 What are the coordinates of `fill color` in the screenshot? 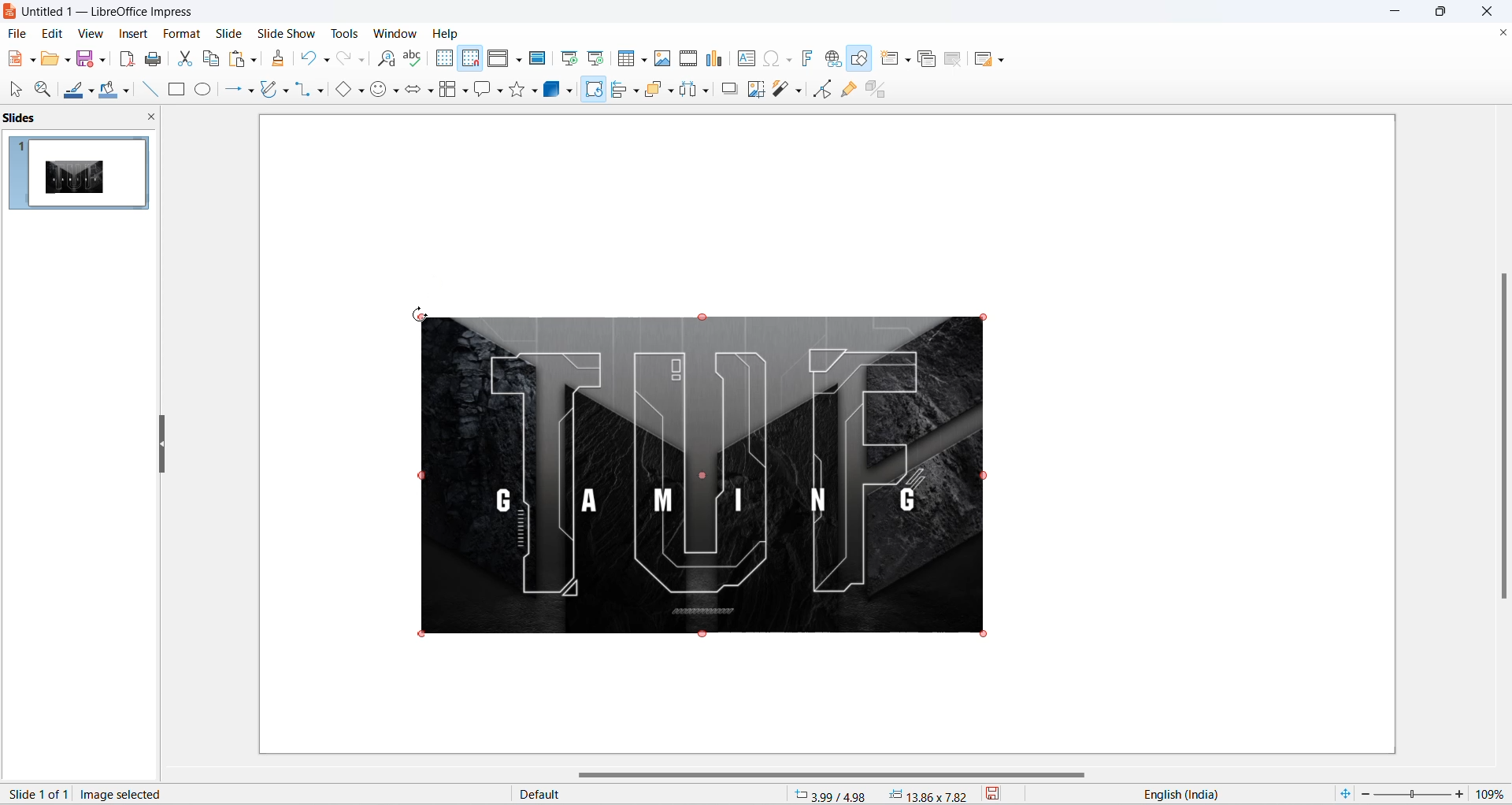 It's located at (106, 91).